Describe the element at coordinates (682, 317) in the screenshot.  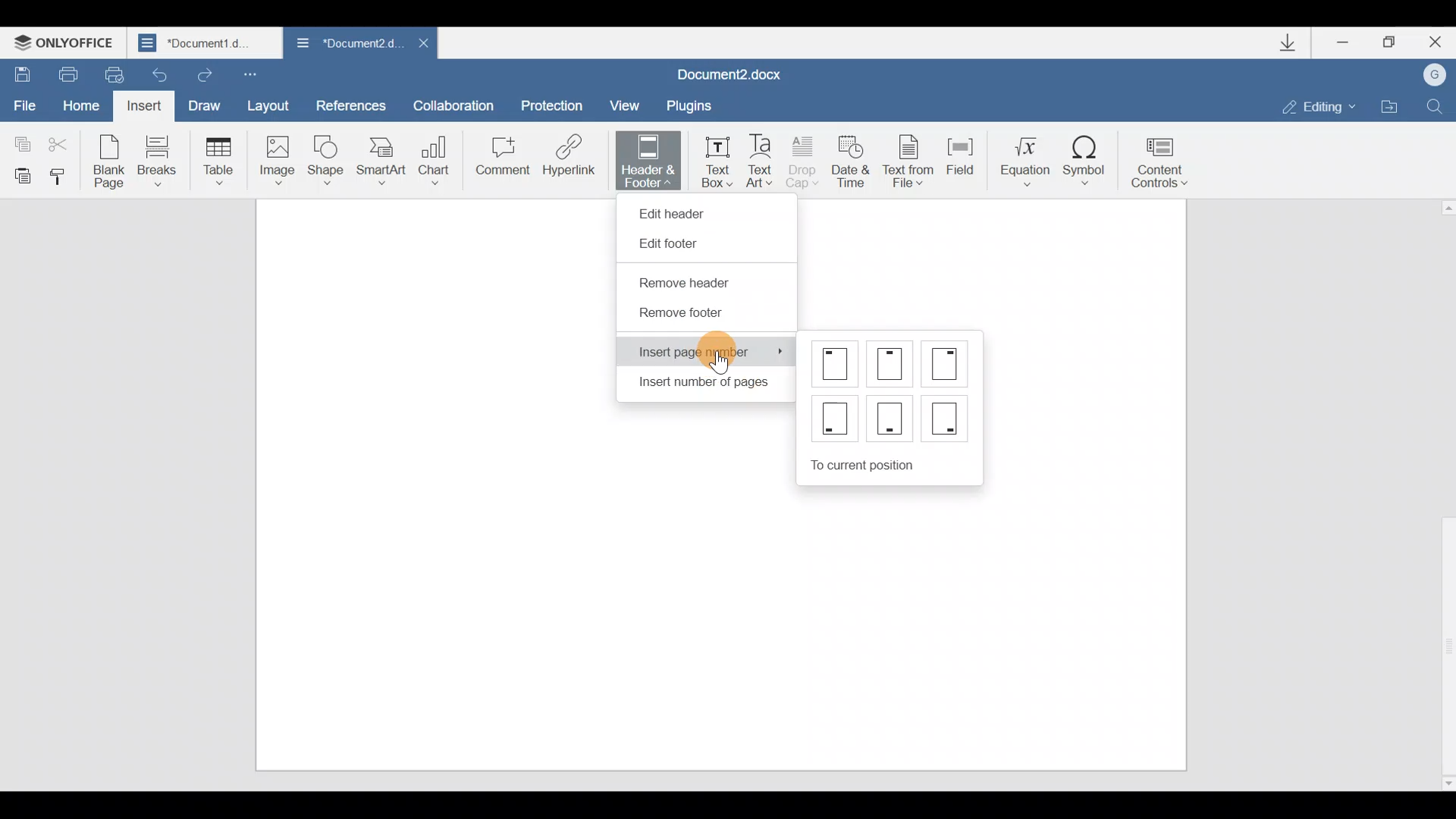
I see `Remove footer` at that location.